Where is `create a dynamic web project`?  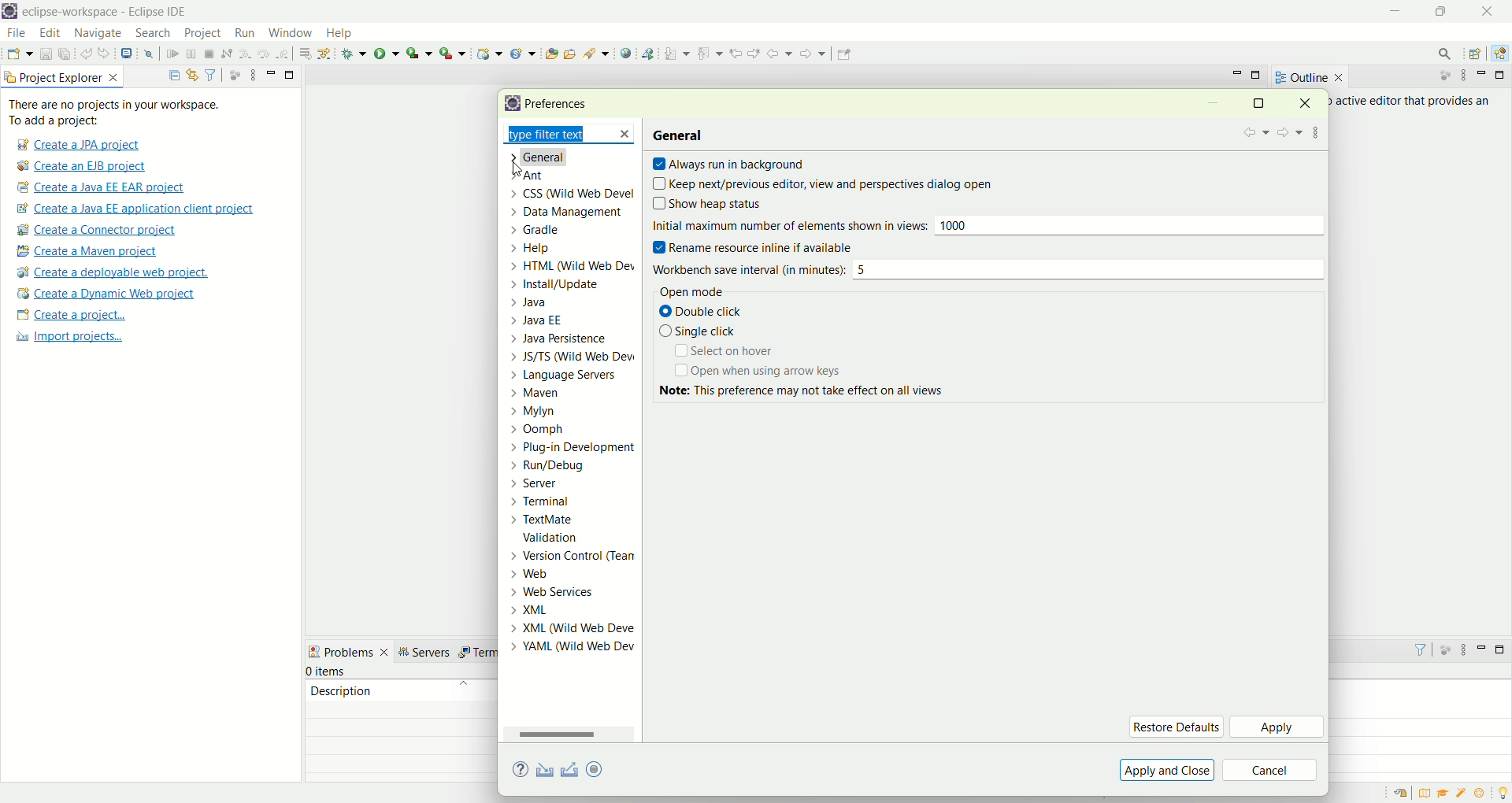 create a dynamic web project is located at coordinates (105, 294).